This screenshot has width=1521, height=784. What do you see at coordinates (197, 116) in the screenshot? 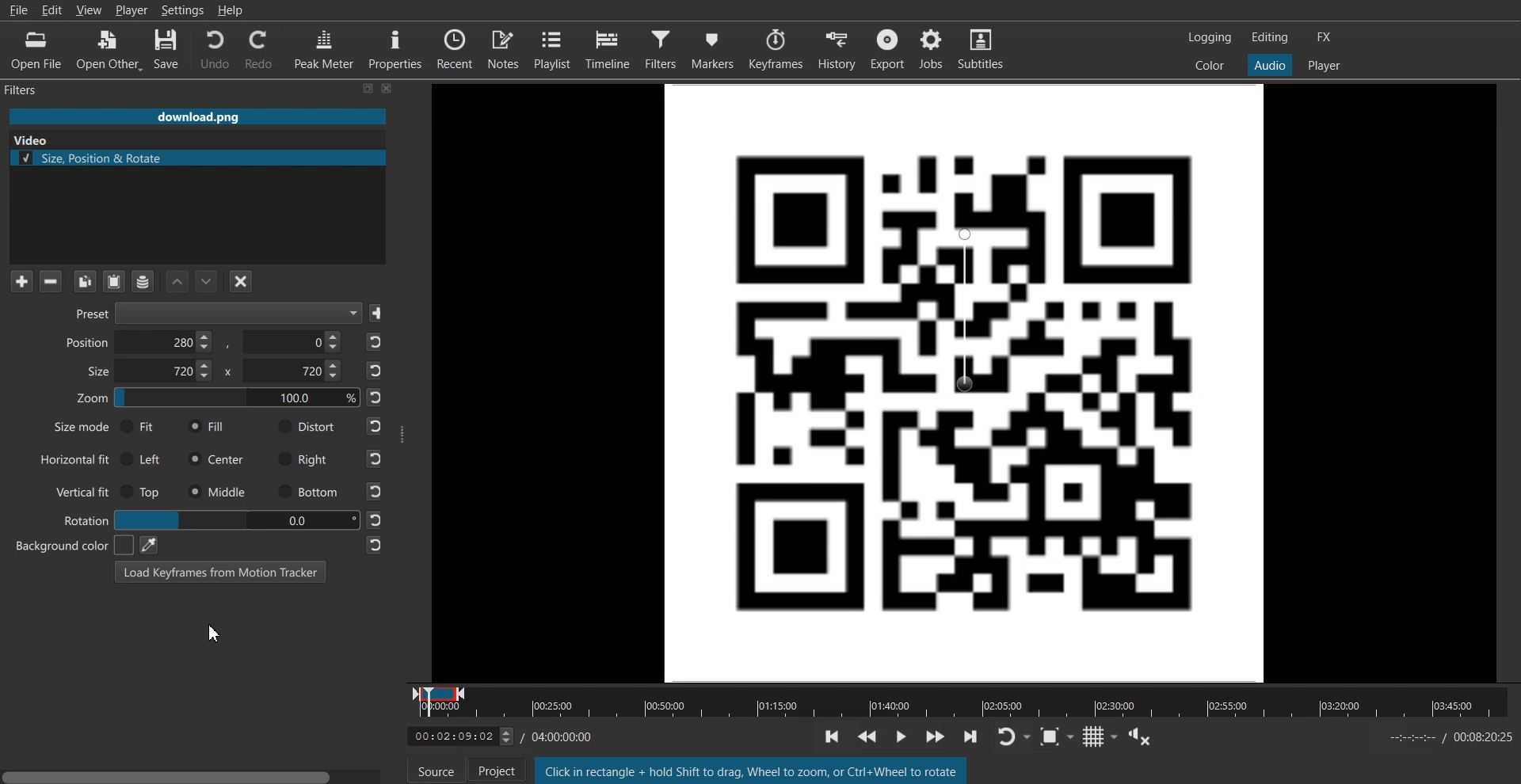
I see `File Name` at bounding box center [197, 116].